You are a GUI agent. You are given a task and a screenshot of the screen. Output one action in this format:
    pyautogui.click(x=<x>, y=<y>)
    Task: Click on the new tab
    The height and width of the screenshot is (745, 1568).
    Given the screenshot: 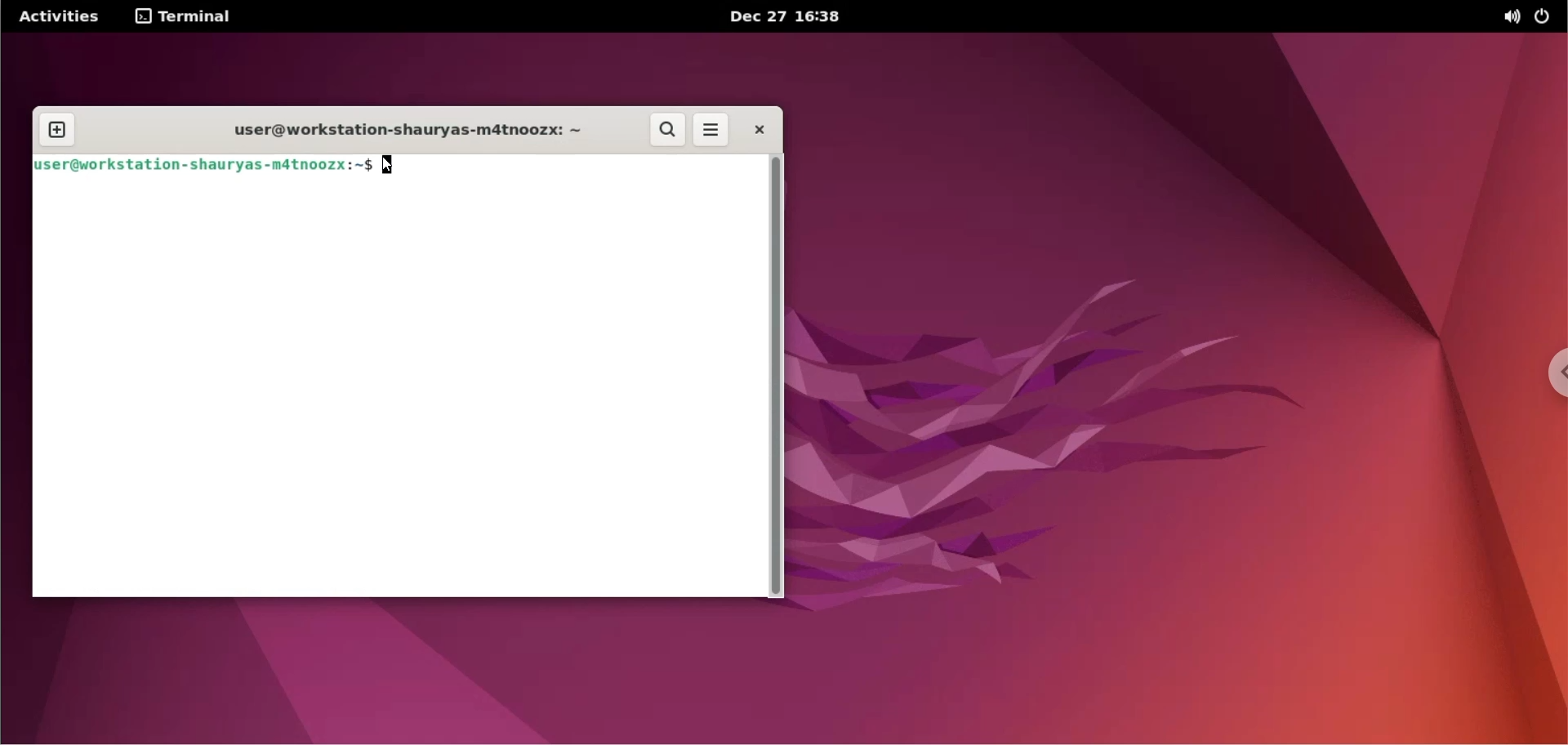 What is the action you would take?
    pyautogui.click(x=55, y=130)
    